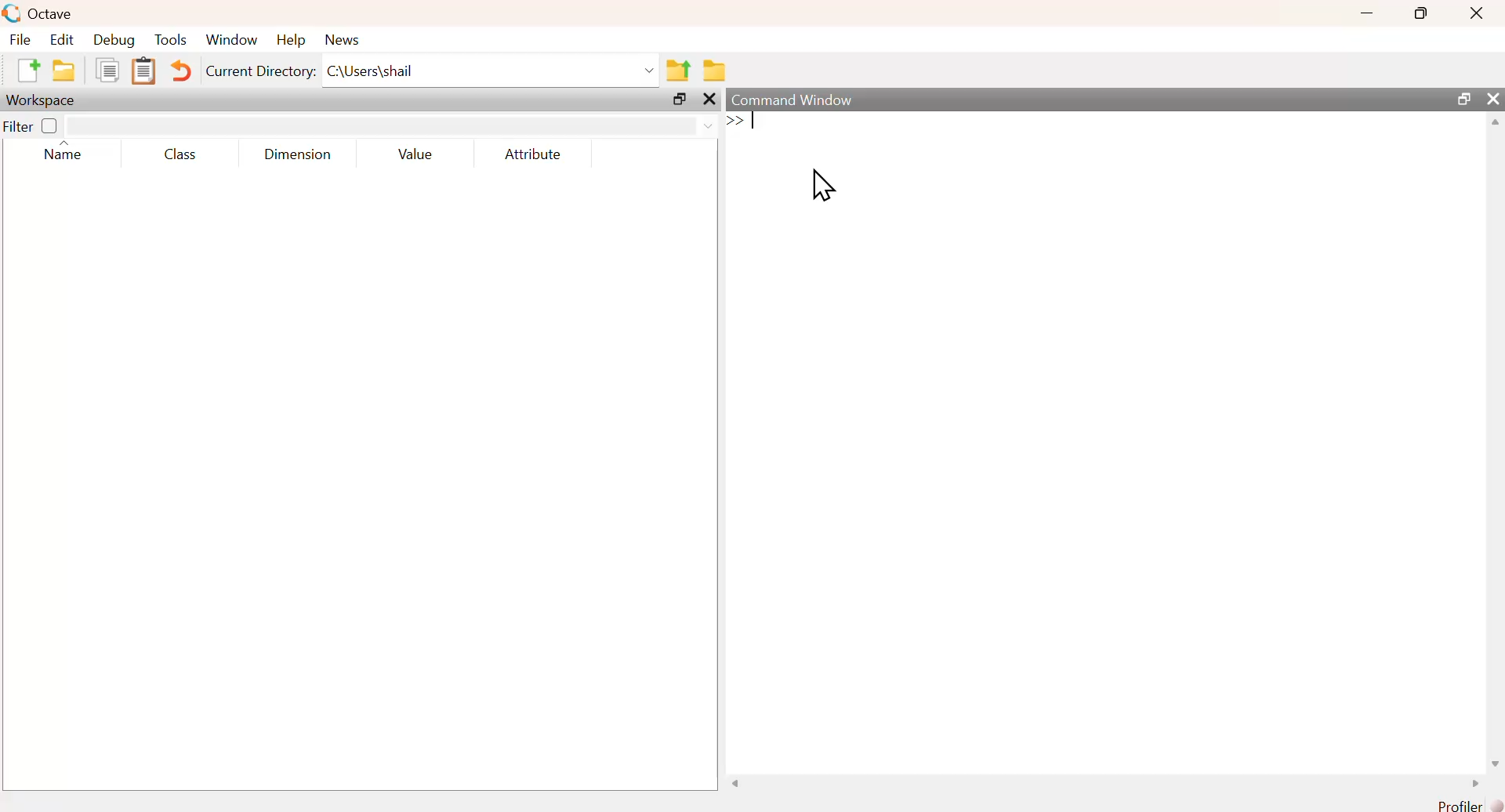  I want to click on Help, so click(292, 40).